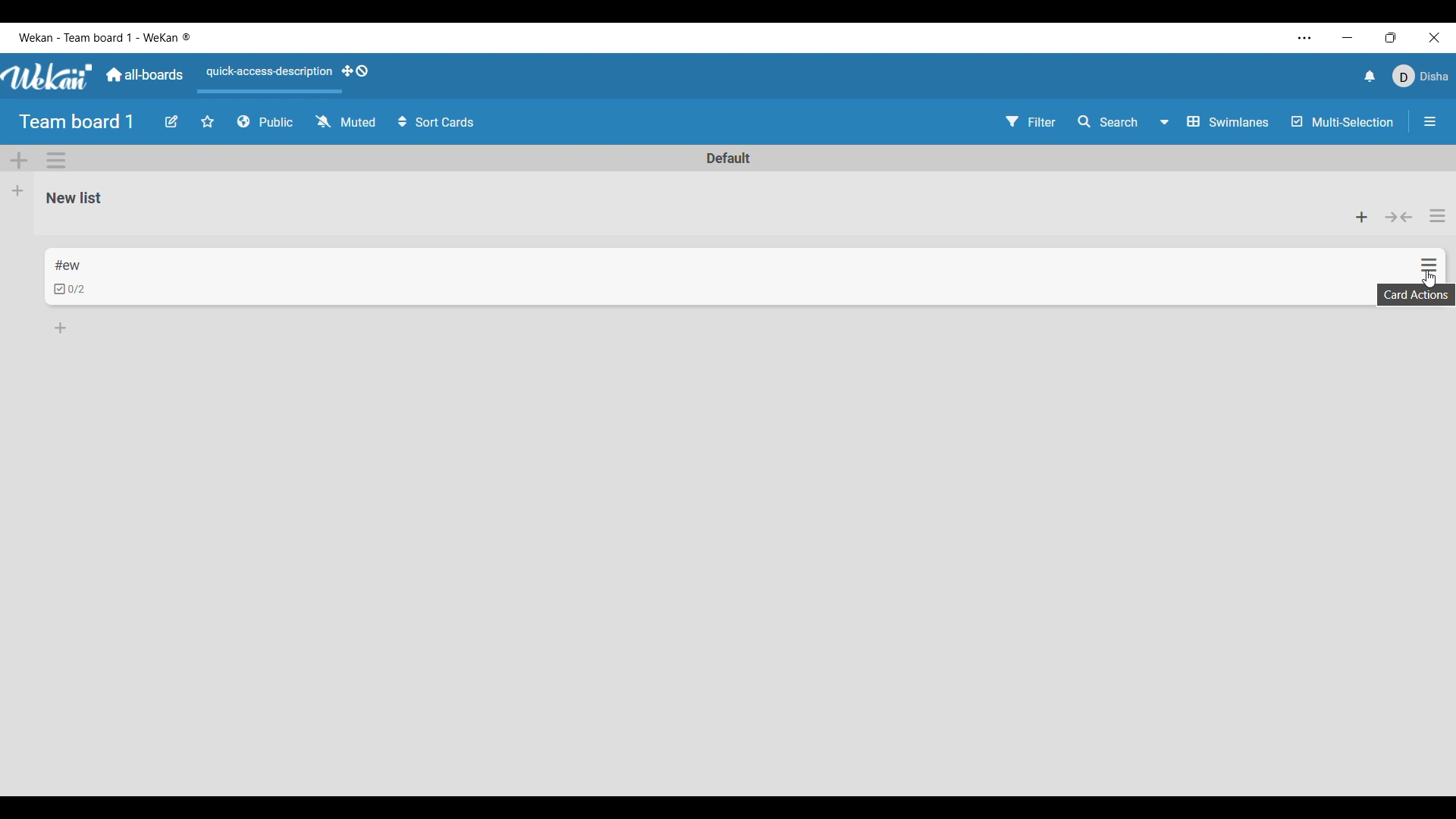  Describe the element at coordinates (20, 161) in the screenshot. I see `Add Swimlane` at that location.